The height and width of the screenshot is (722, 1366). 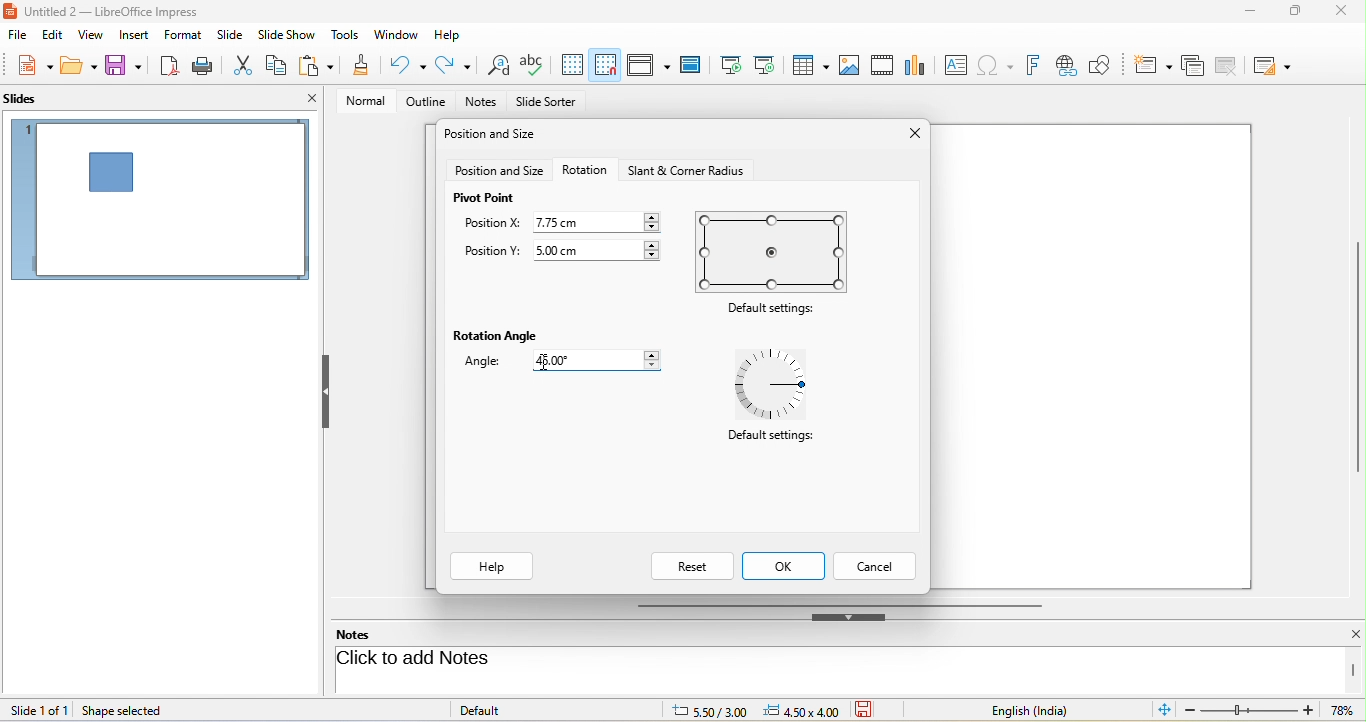 I want to click on new, so click(x=28, y=67).